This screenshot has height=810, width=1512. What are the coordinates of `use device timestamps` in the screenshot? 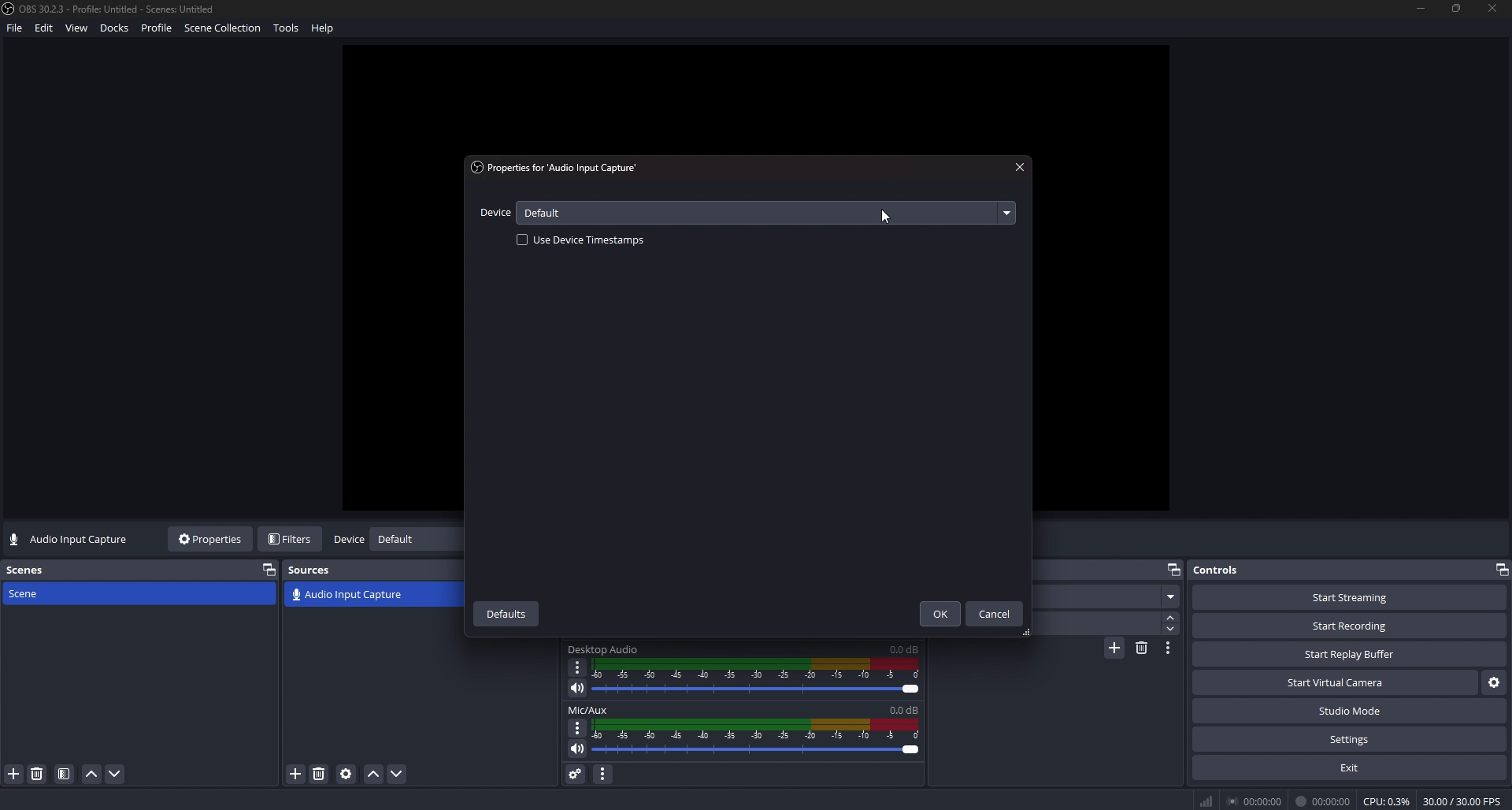 It's located at (583, 240).